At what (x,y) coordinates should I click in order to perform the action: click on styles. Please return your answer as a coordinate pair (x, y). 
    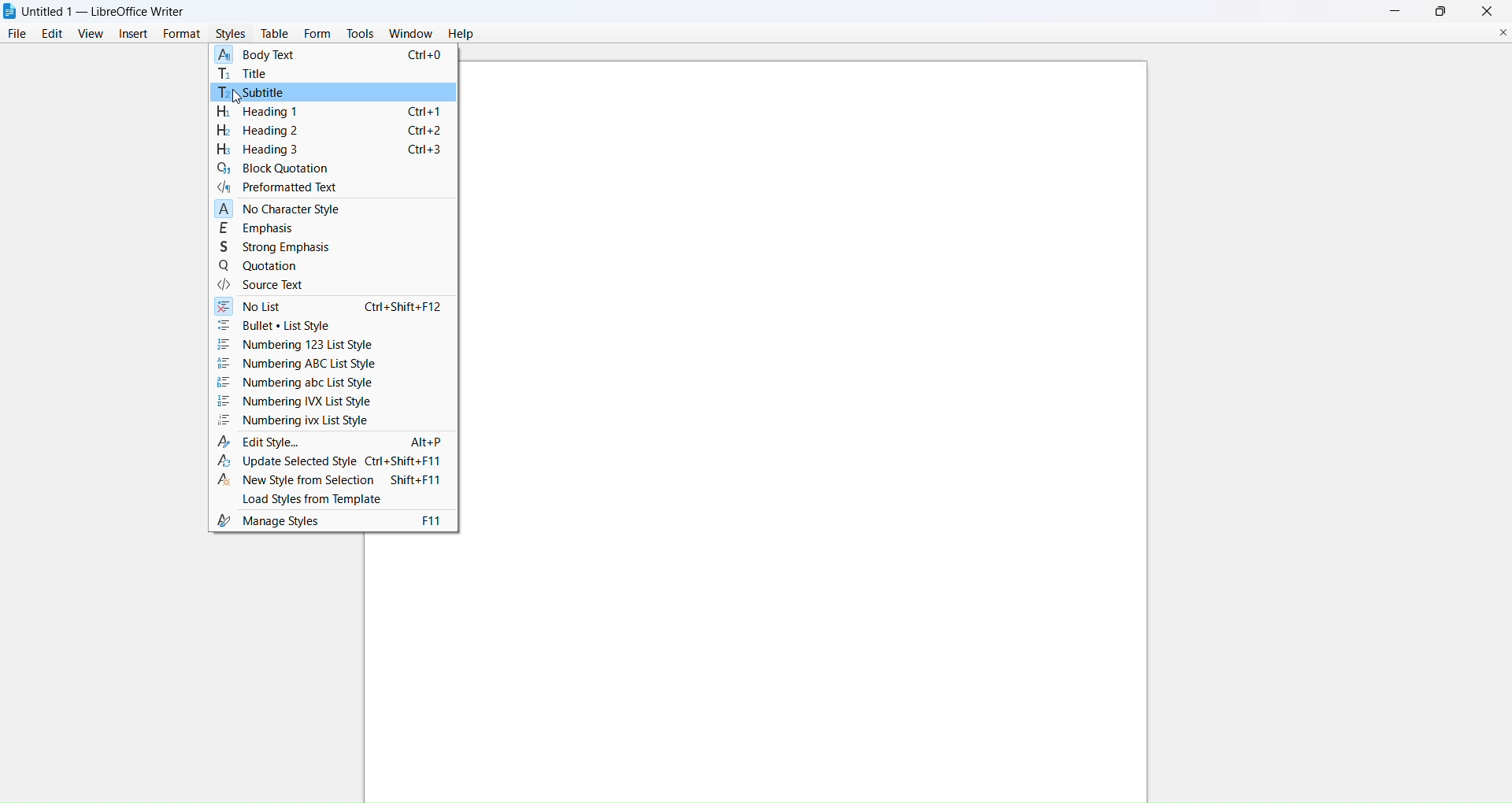
    Looking at the image, I should click on (233, 34).